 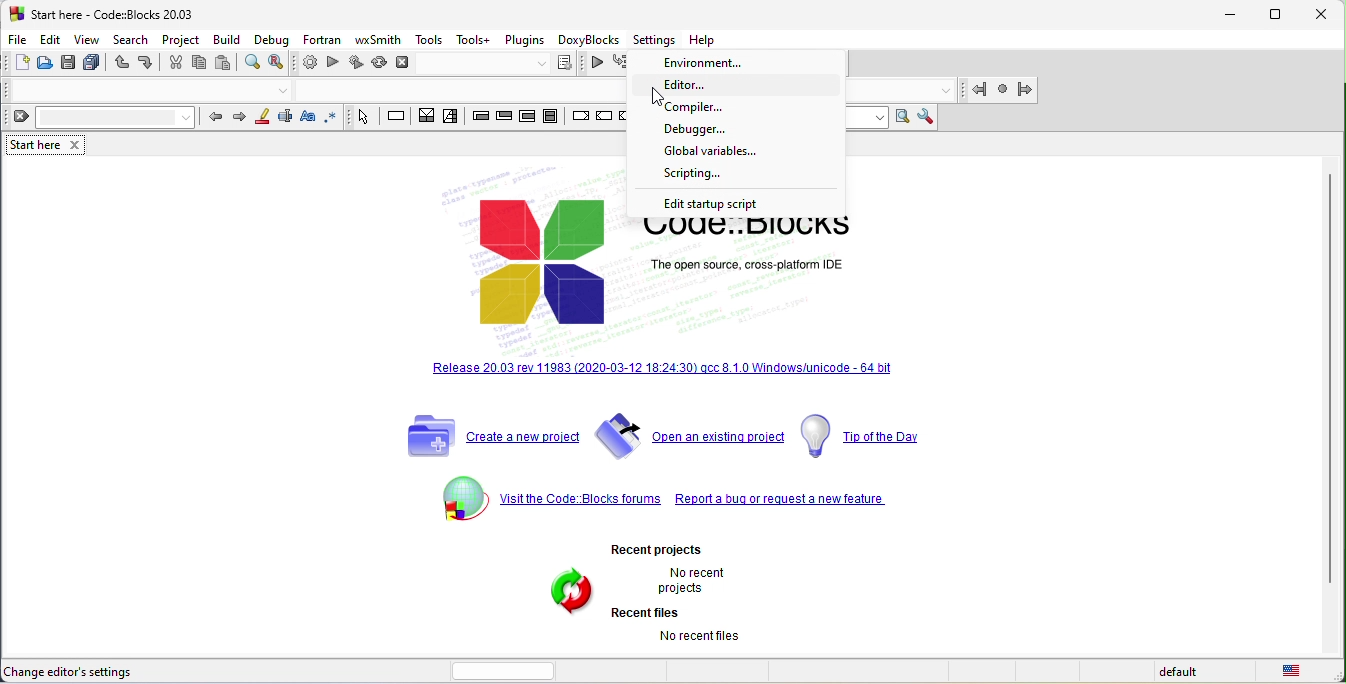 I want to click on editor, so click(x=728, y=85).